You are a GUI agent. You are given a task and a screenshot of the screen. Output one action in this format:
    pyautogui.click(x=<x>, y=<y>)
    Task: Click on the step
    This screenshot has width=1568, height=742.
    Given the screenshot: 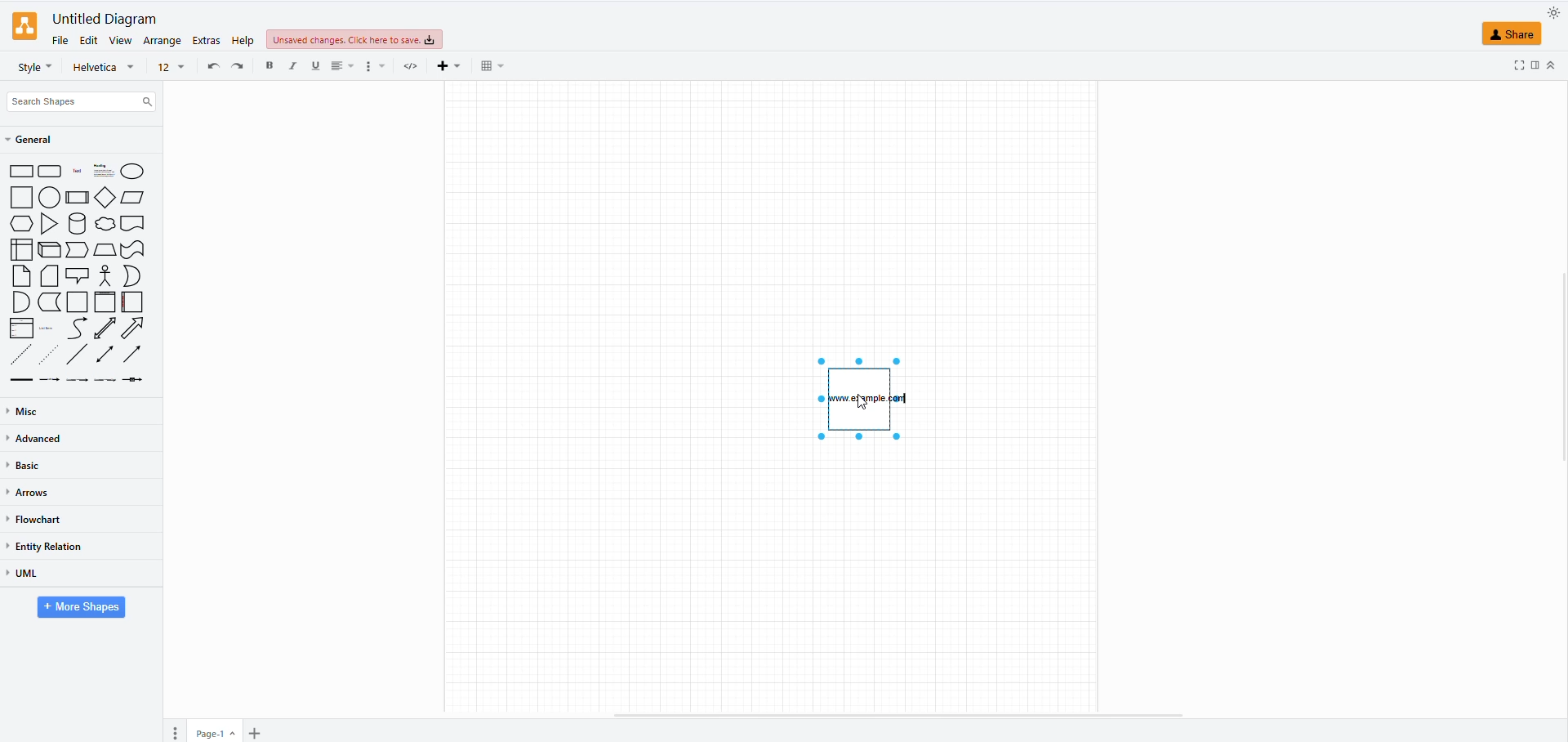 What is the action you would take?
    pyautogui.click(x=76, y=251)
    